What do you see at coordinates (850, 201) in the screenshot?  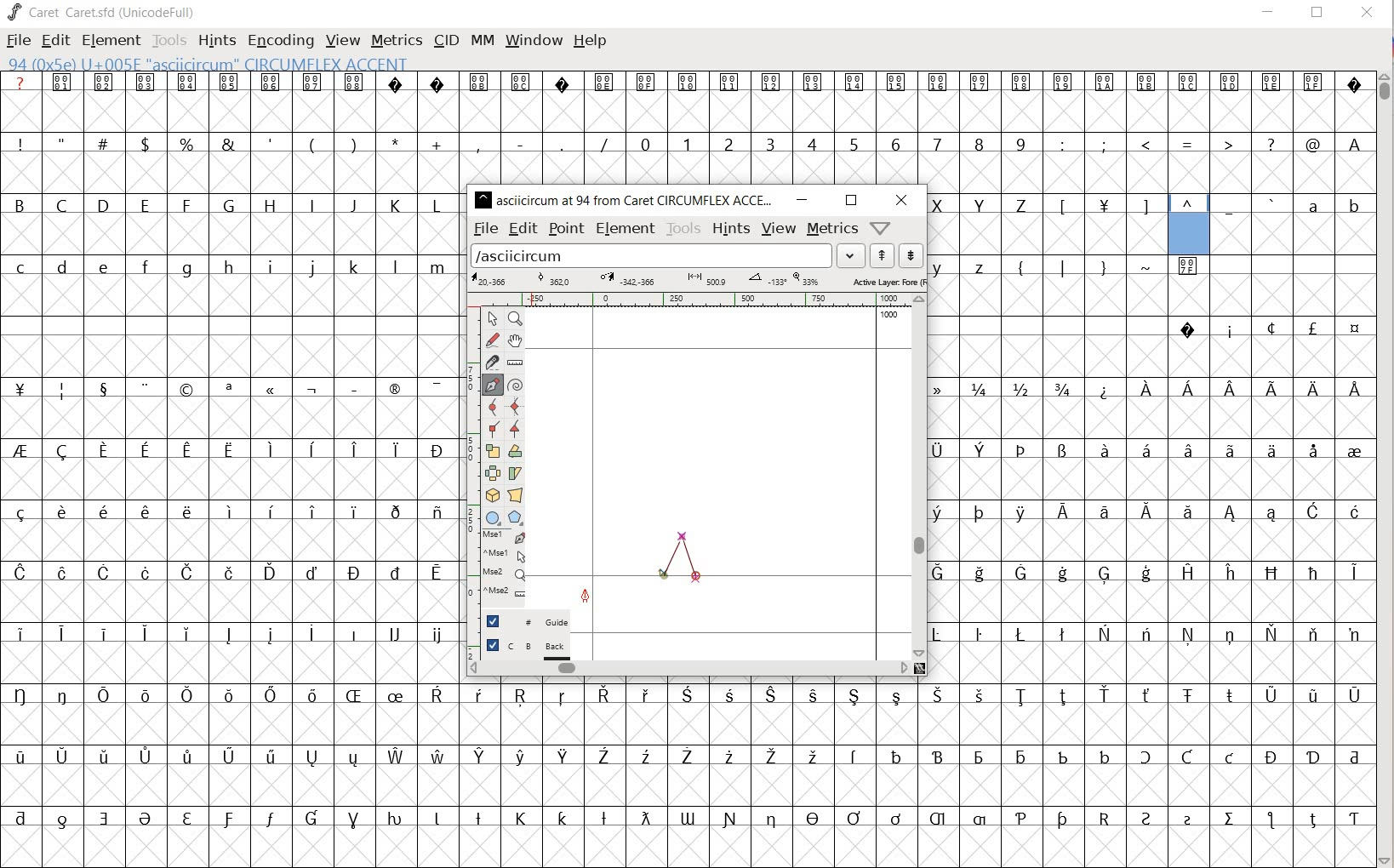 I see `restore down` at bounding box center [850, 201].